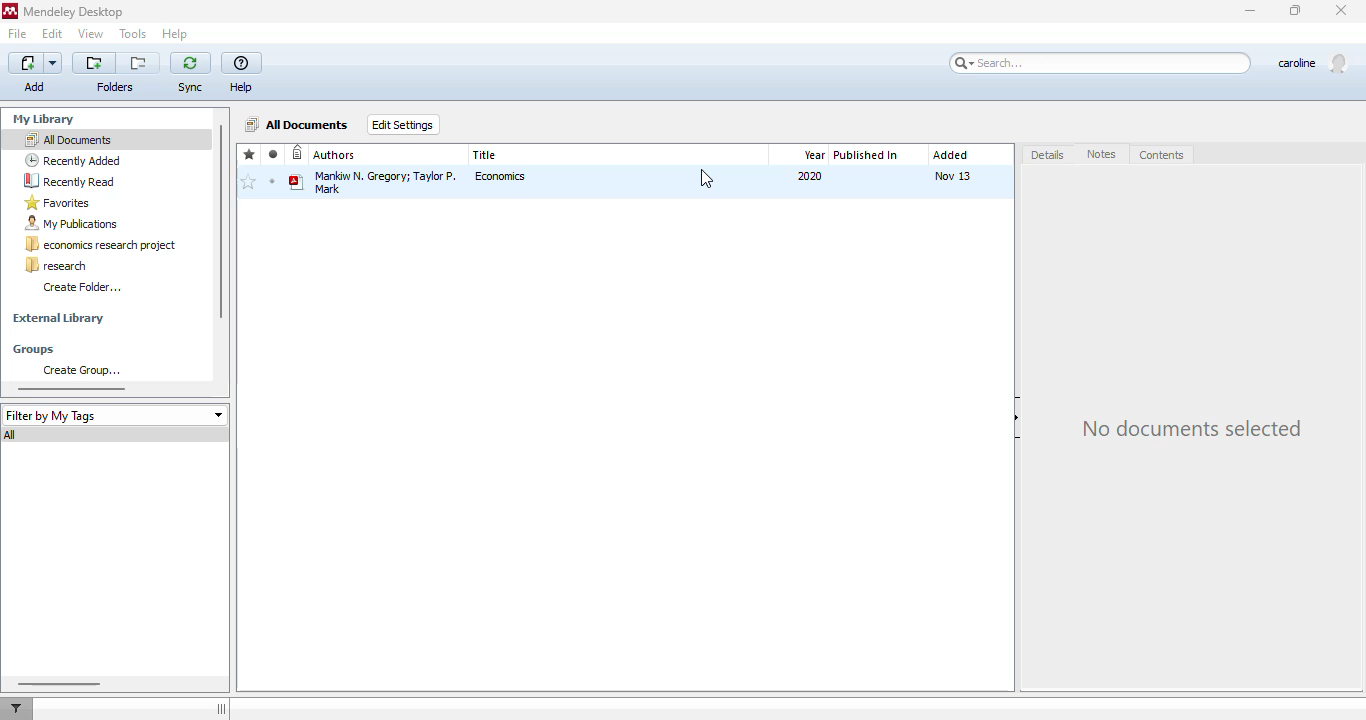 Image resolution: width=1366 pixels, height=720 pixels. I want to click on recently added, so click(298, 154).